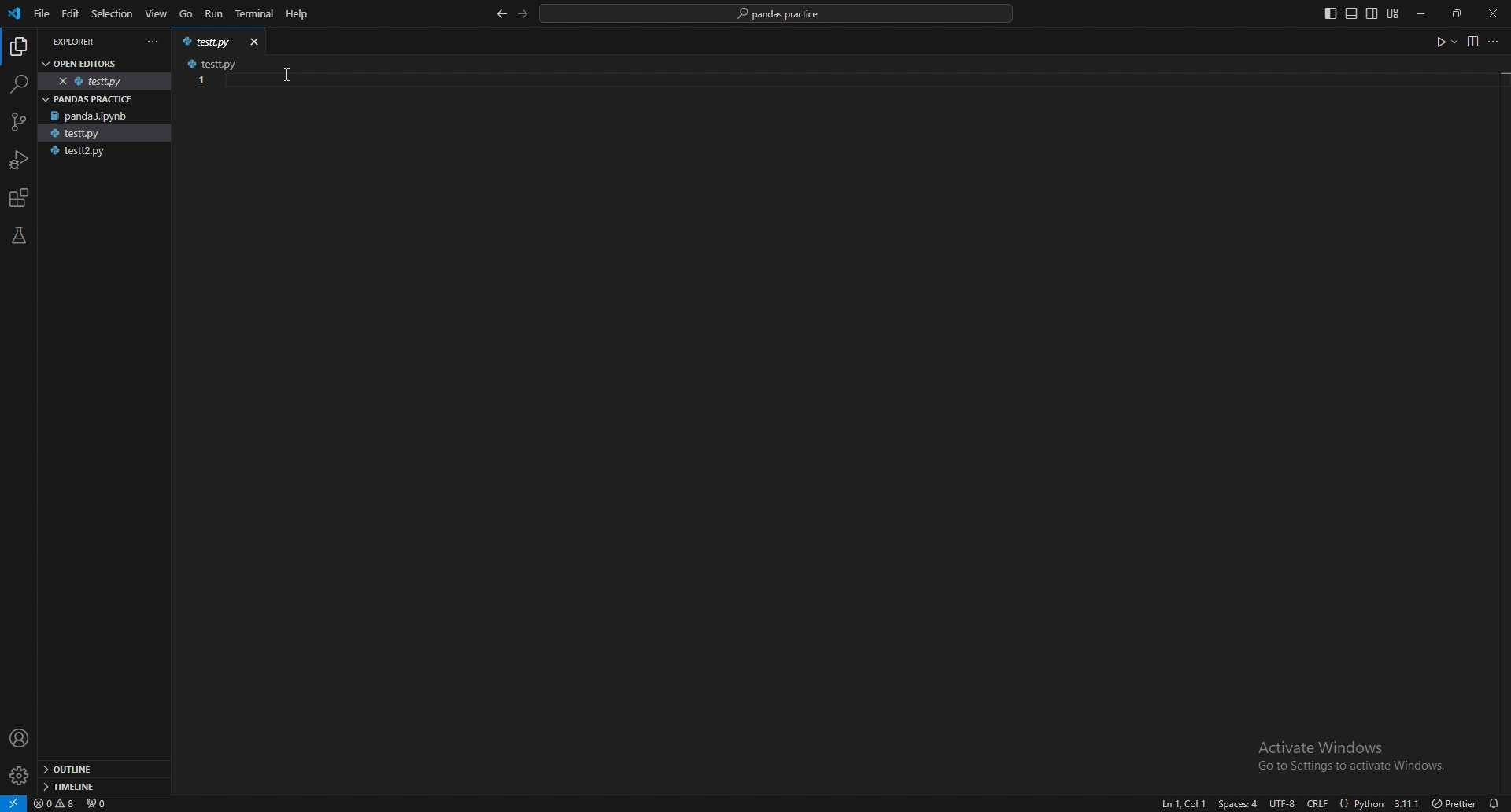  I want to click on alarms, so click(1494, 803).